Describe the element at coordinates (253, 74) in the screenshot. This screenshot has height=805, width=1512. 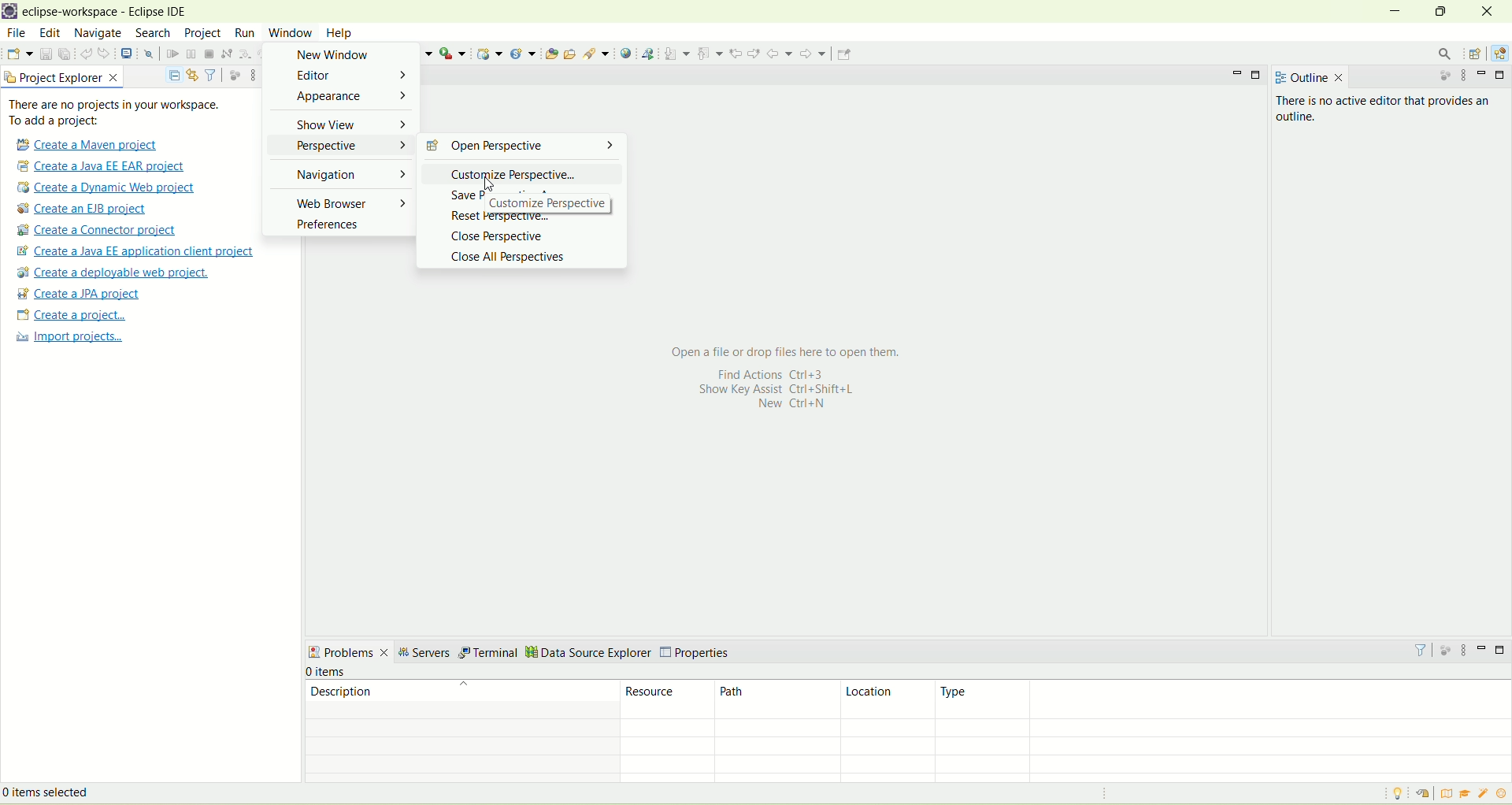
I see `view menu` at that location.